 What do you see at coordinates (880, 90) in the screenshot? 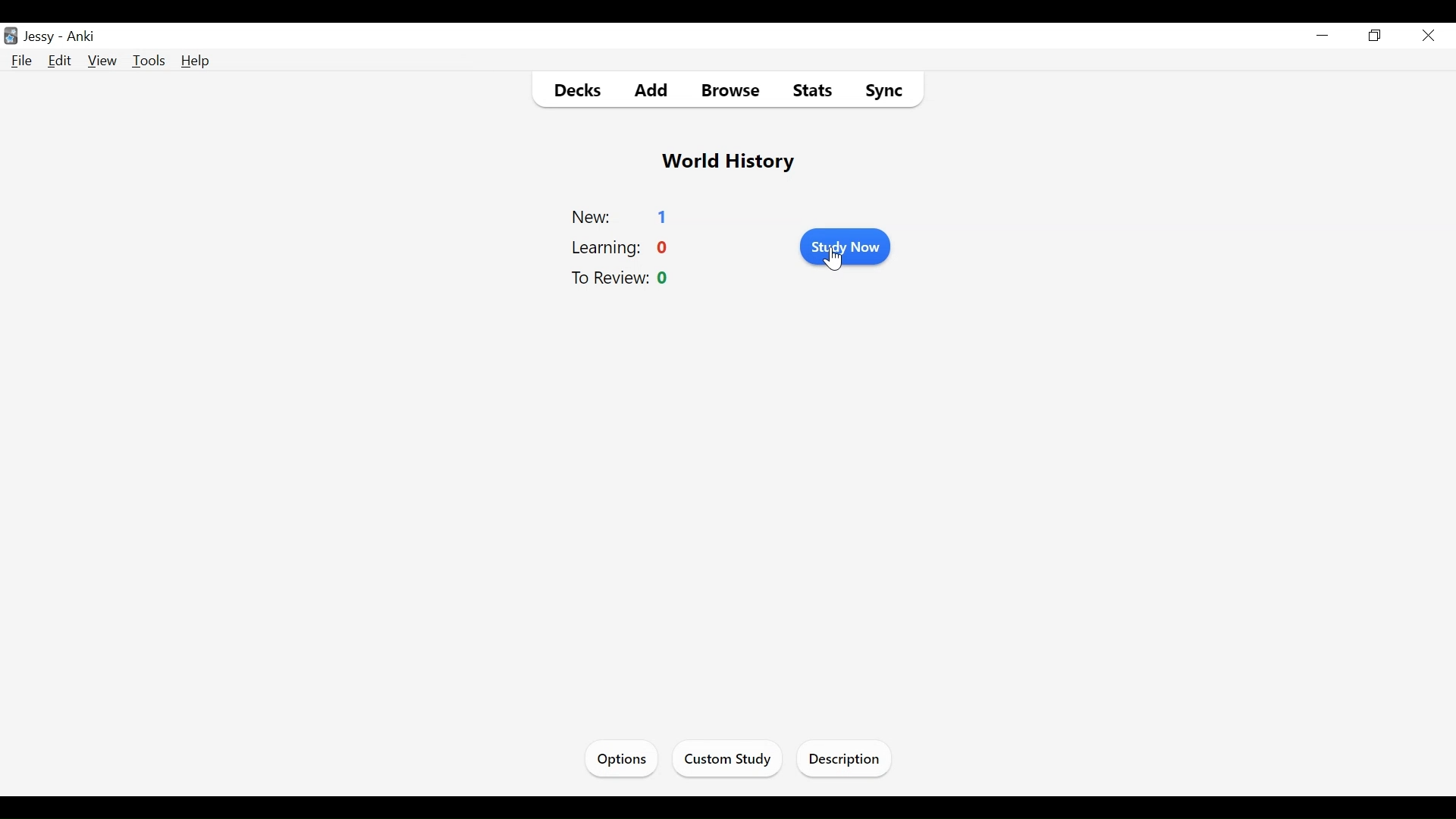
I see `Sync` at bounding box center [880, 90].